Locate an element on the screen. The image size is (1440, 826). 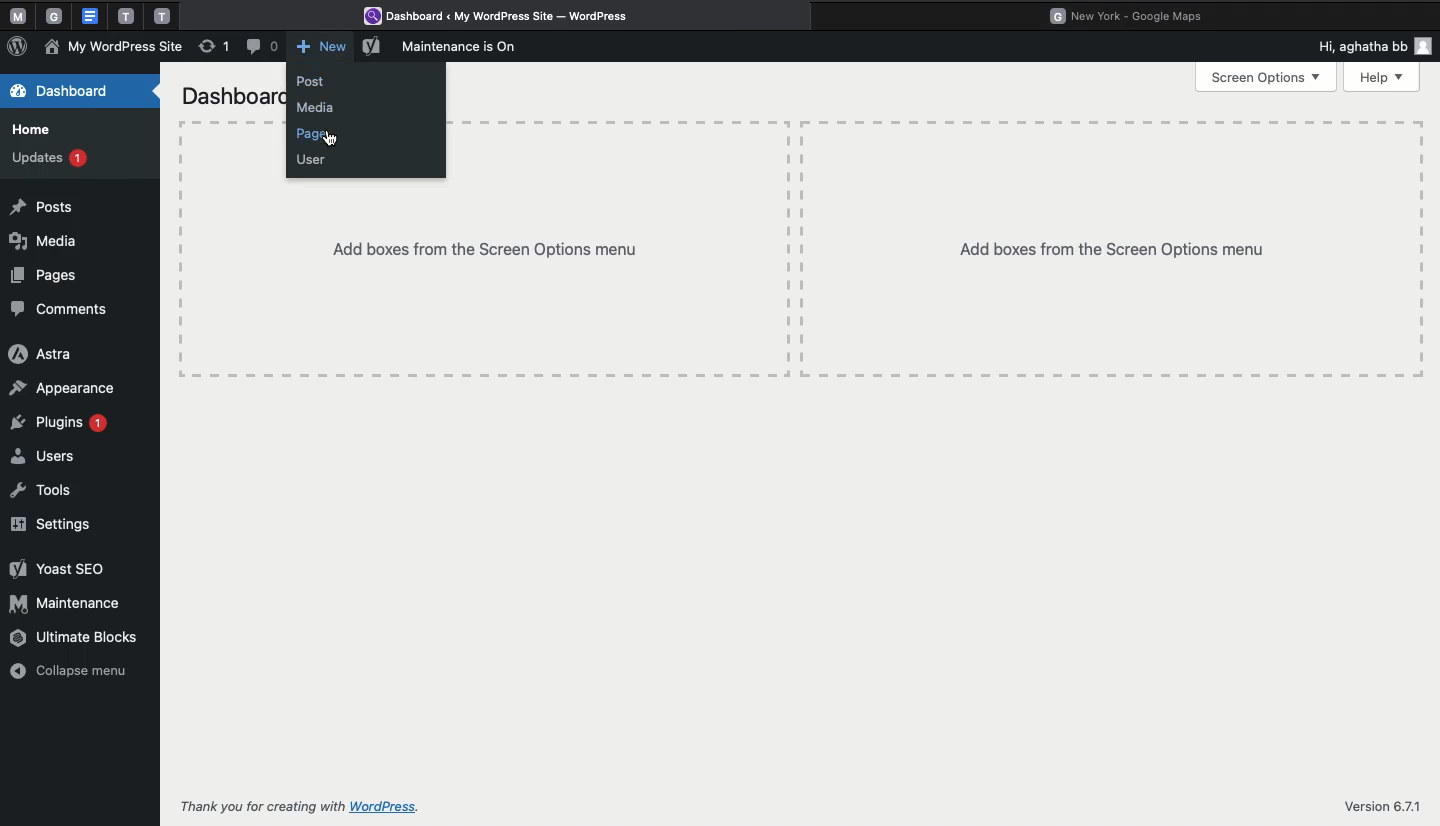
Thank you for creating with WordPress is located at coordinates (299, 806).